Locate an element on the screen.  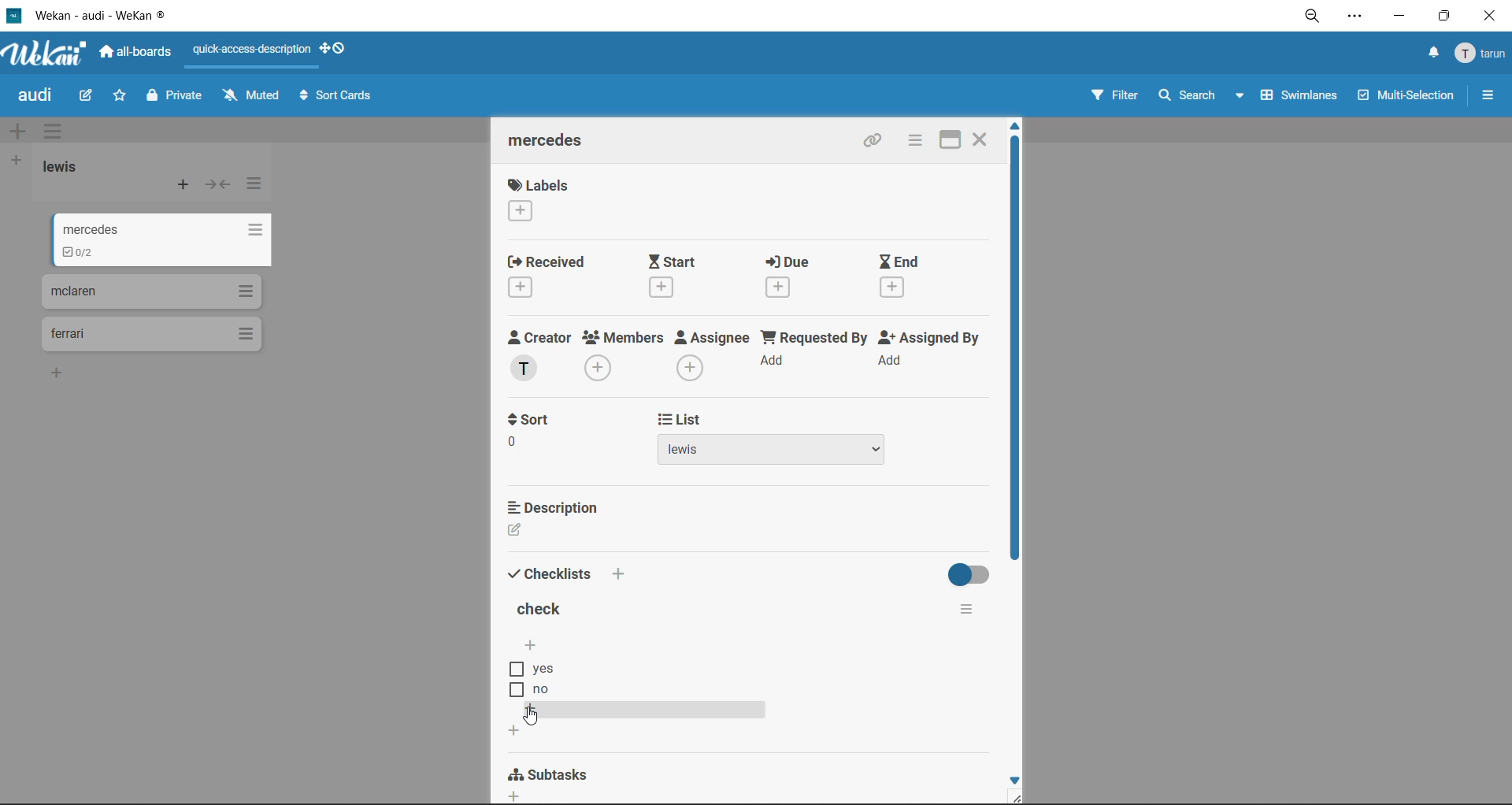
swimlane actions is located at coordinates (57, 131).